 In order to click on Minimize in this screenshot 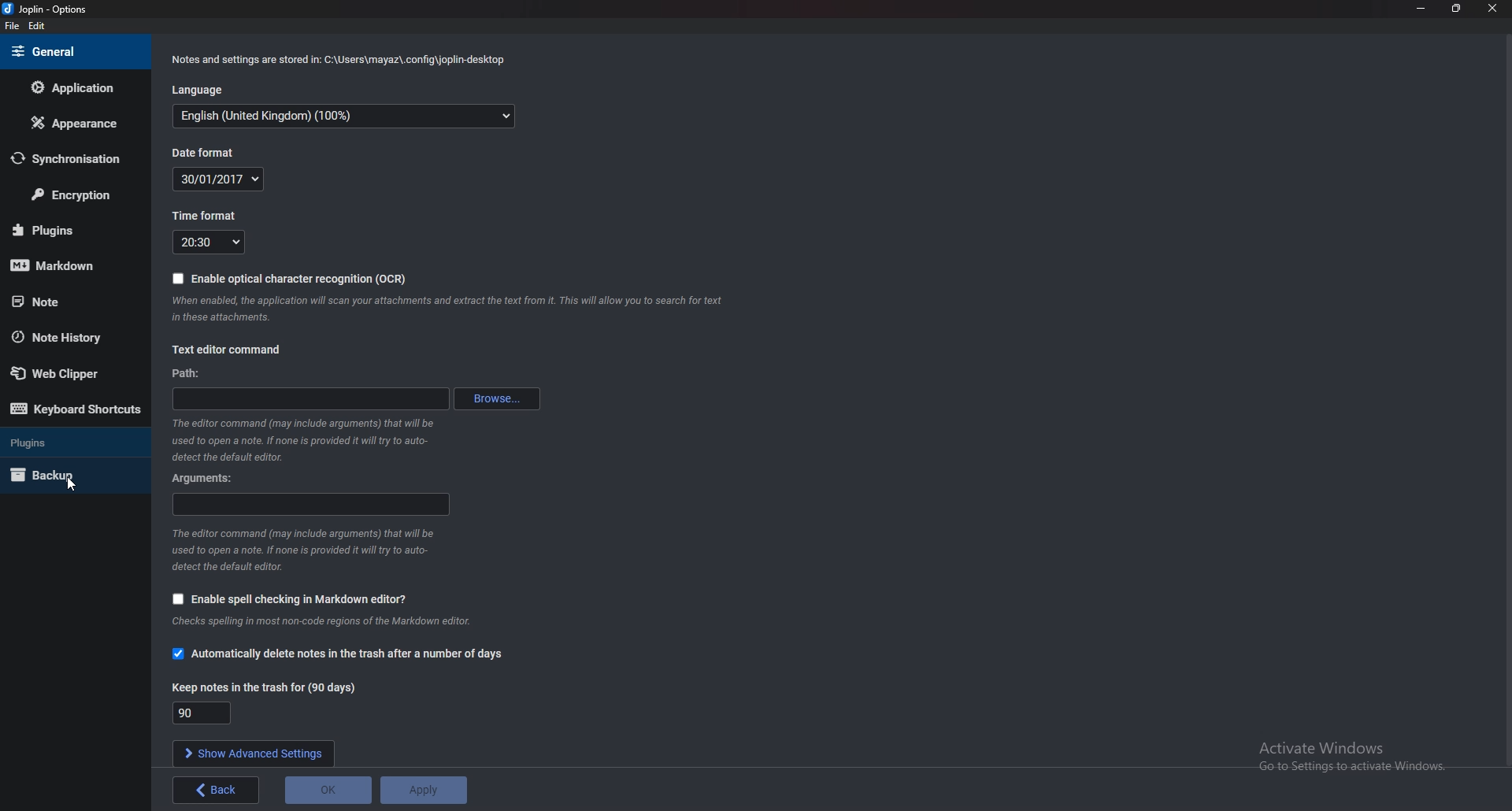, I will do `click(1423, 8)`.